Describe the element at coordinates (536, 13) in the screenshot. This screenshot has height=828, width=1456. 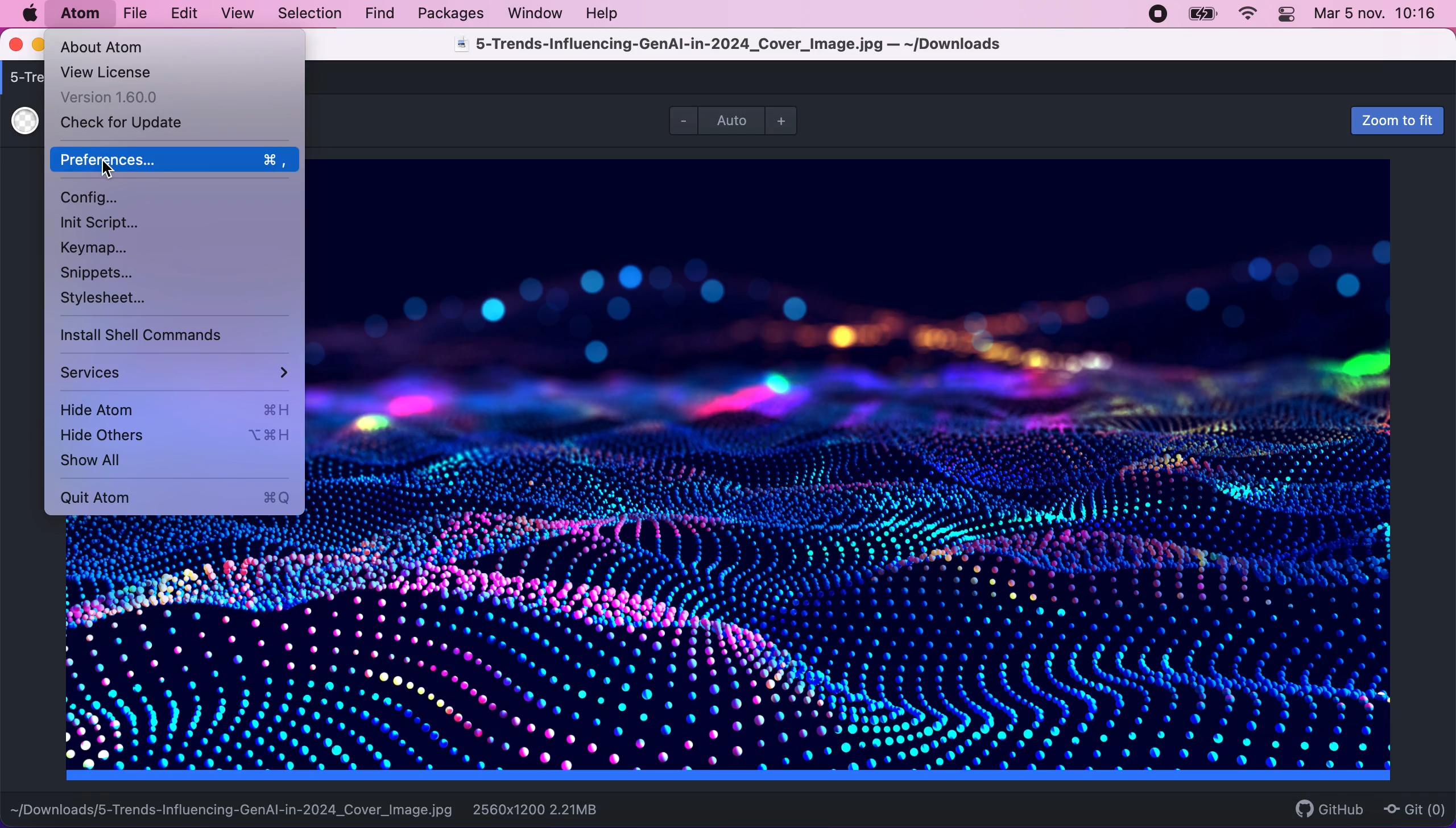
I see `window` at that location.